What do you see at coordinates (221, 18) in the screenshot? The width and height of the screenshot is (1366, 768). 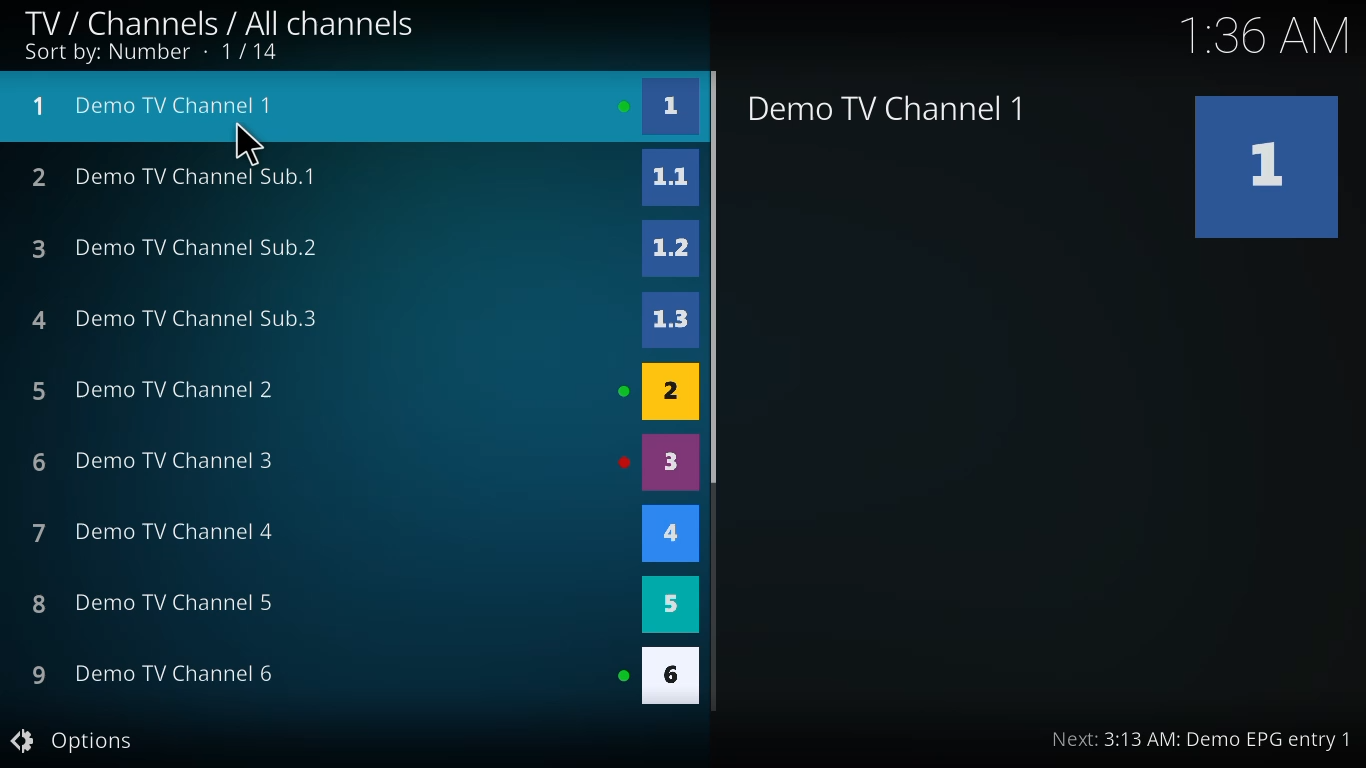 I see `tv channels` at bounding box center [221, 18].